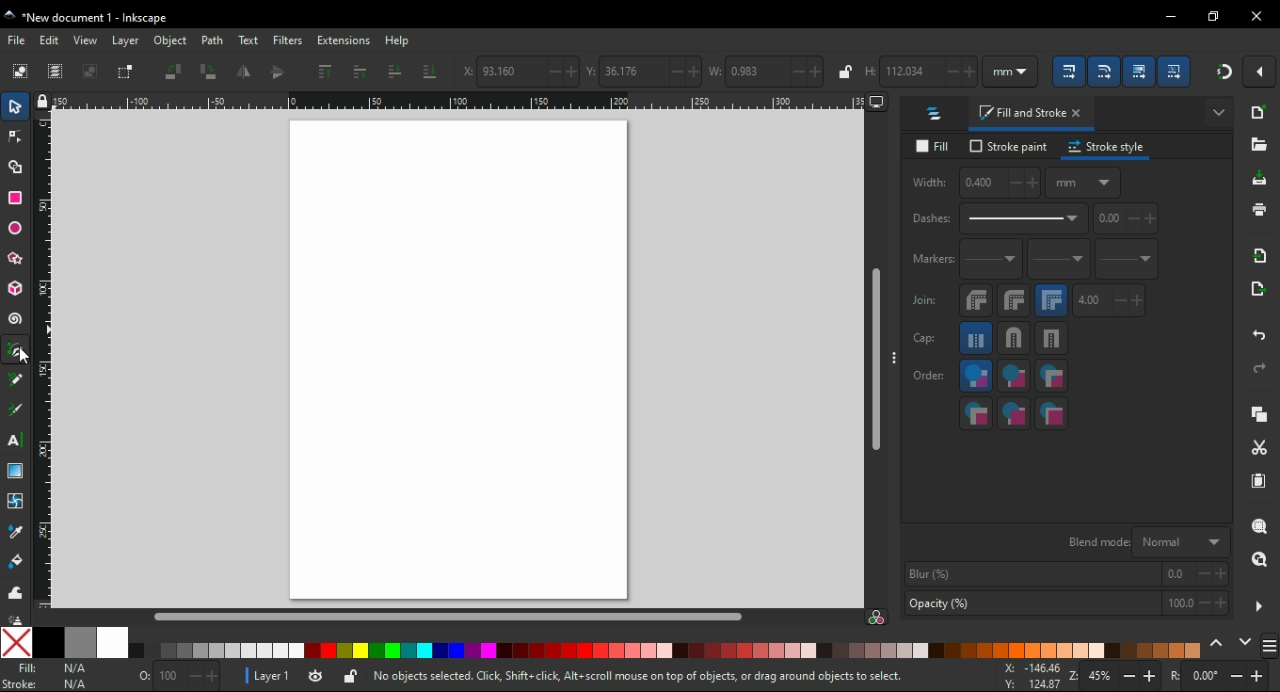 The height and width of the screenshot is (692, 1280). I want to click on snap on/off, so click(1224, 70).